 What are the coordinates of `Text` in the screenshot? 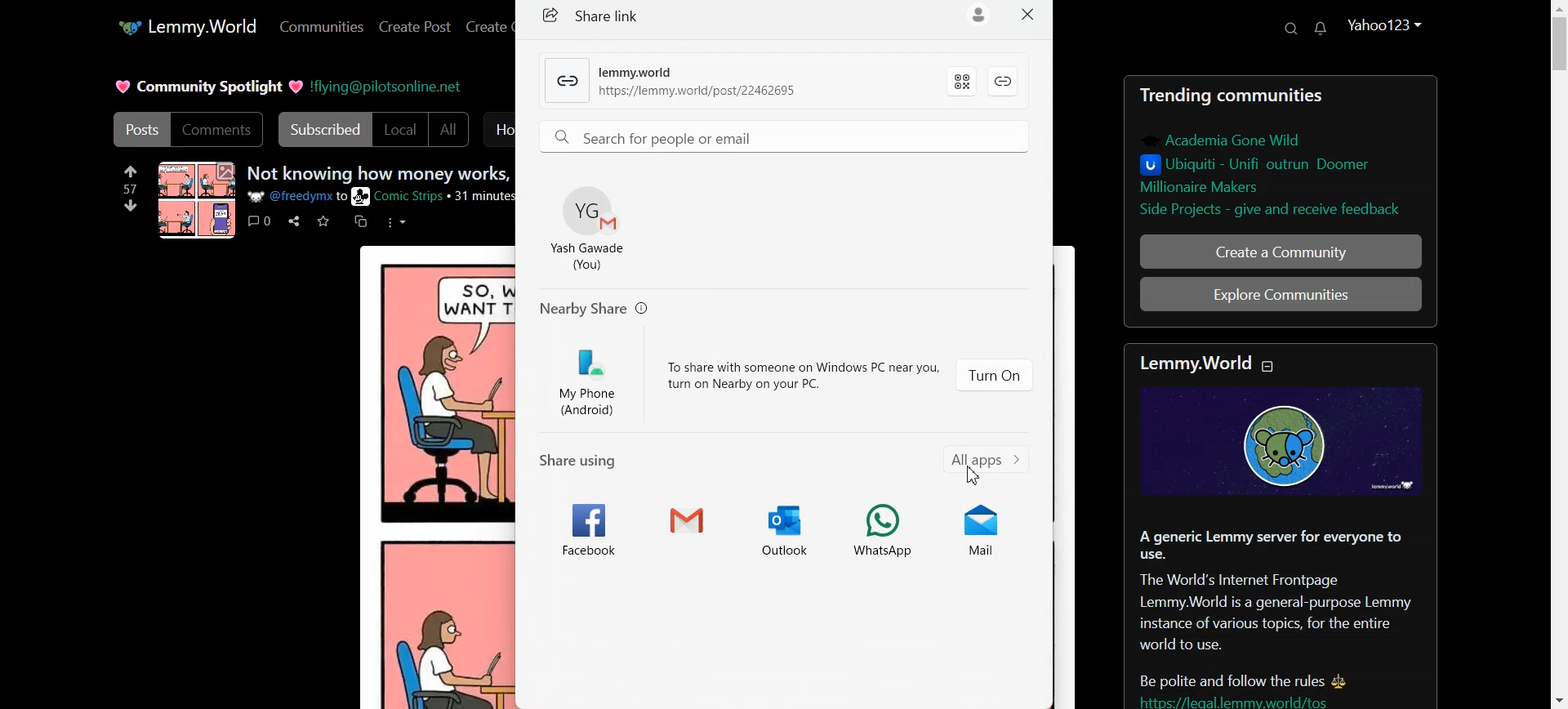 It's located at (1281, 550).